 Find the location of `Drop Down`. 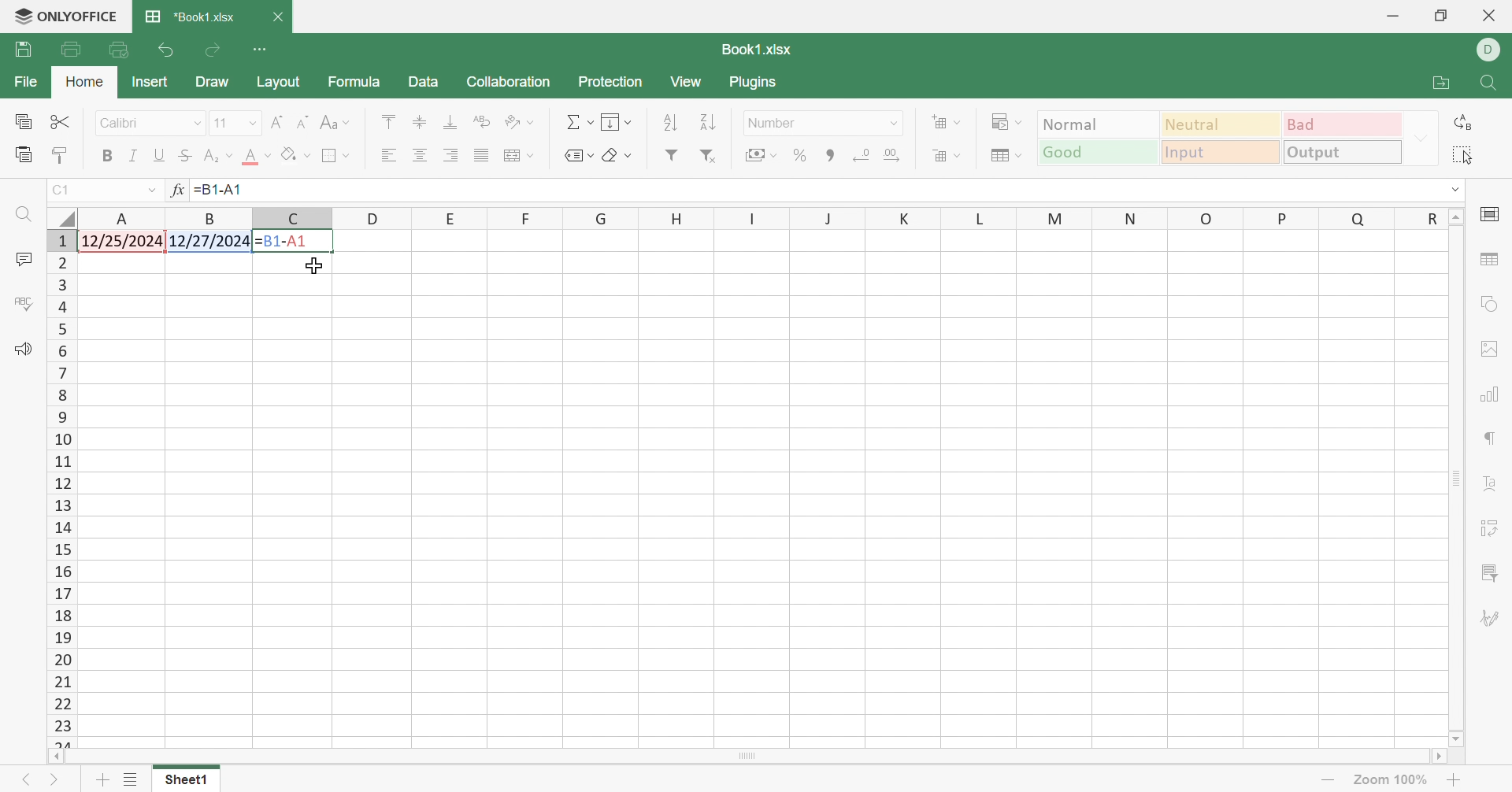

Drop Down is located at coordinates (1421, 137).